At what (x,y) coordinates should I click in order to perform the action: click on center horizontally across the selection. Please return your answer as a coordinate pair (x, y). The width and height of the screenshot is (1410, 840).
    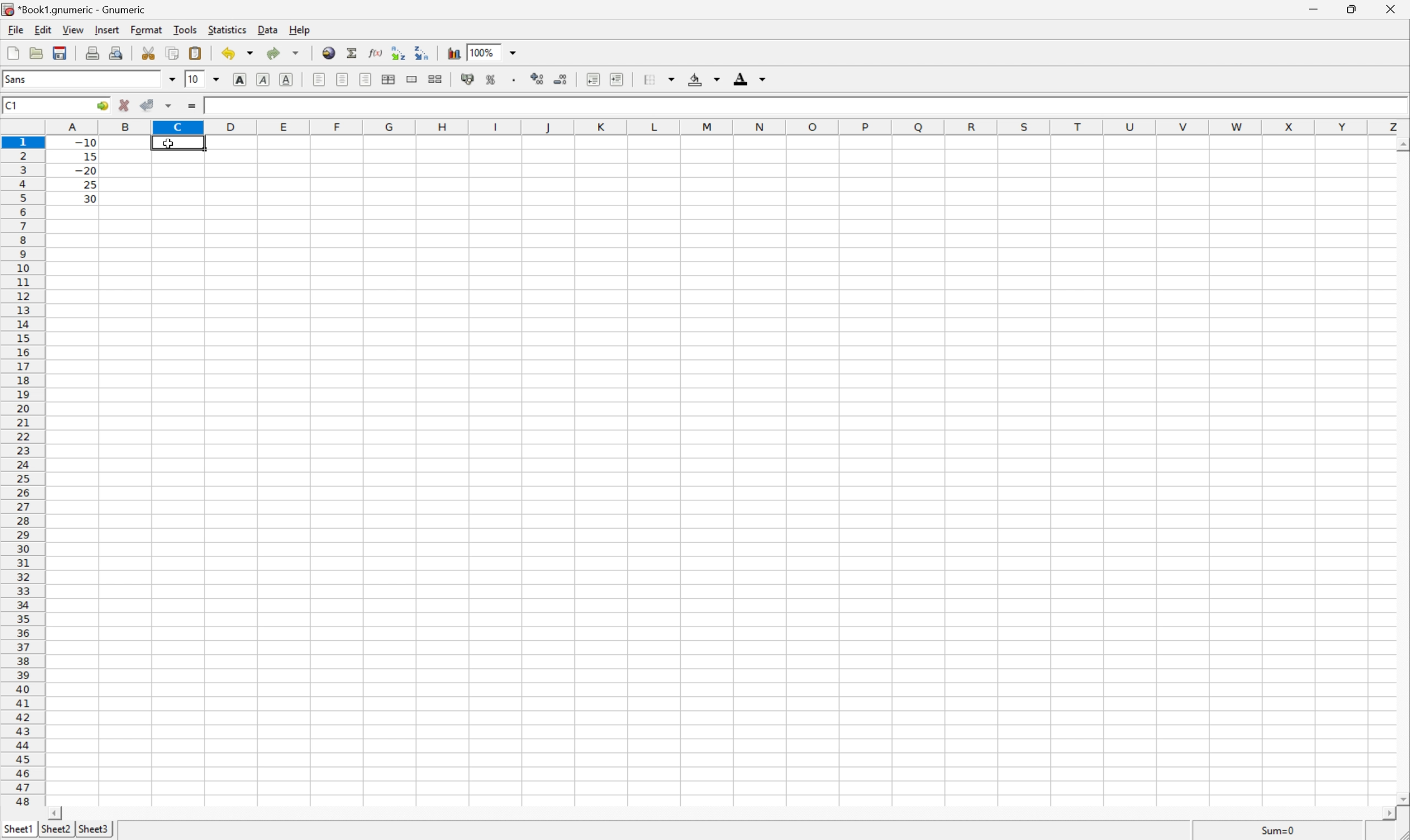
    Looking at the image, I should click on (390, 80).